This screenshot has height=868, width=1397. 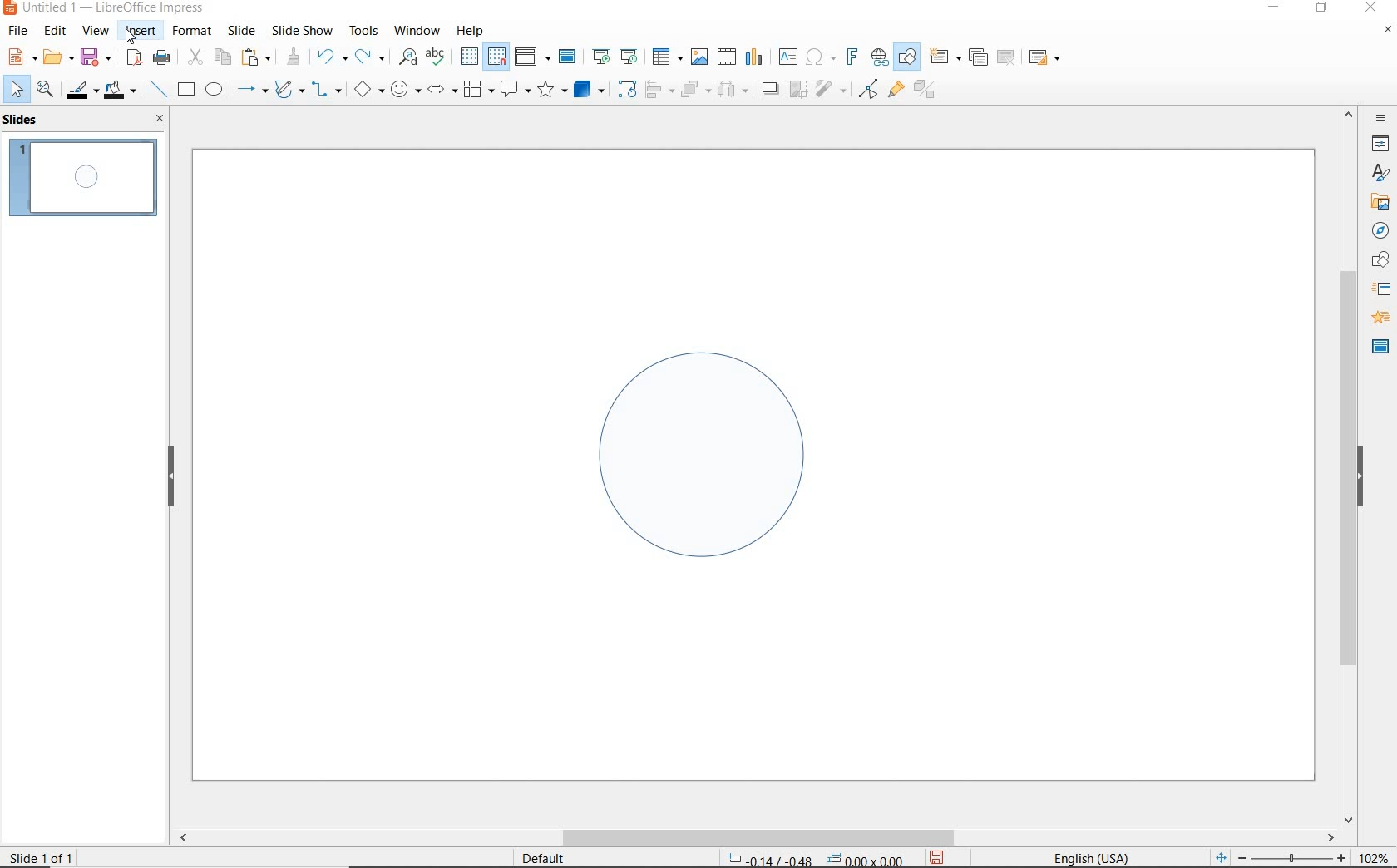 I want to click on default, so click(x=532, y=857).